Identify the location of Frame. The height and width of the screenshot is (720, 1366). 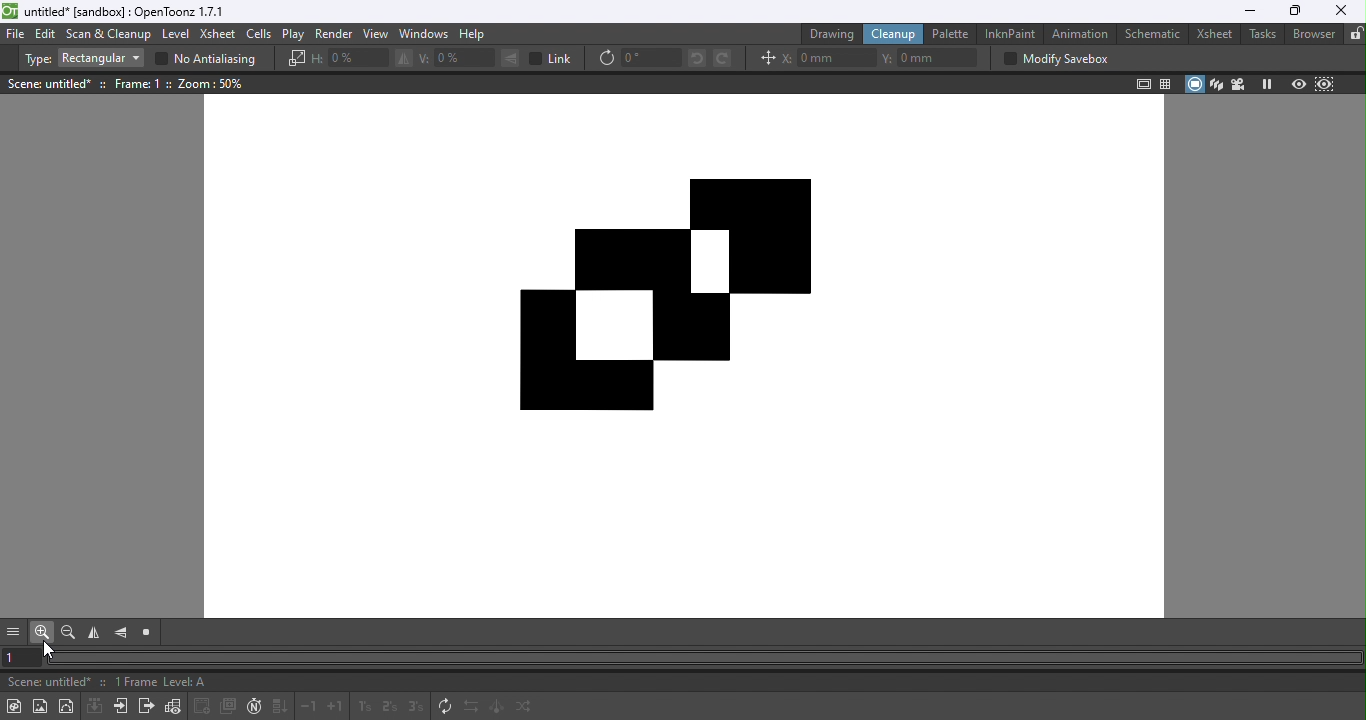
(143, 85).